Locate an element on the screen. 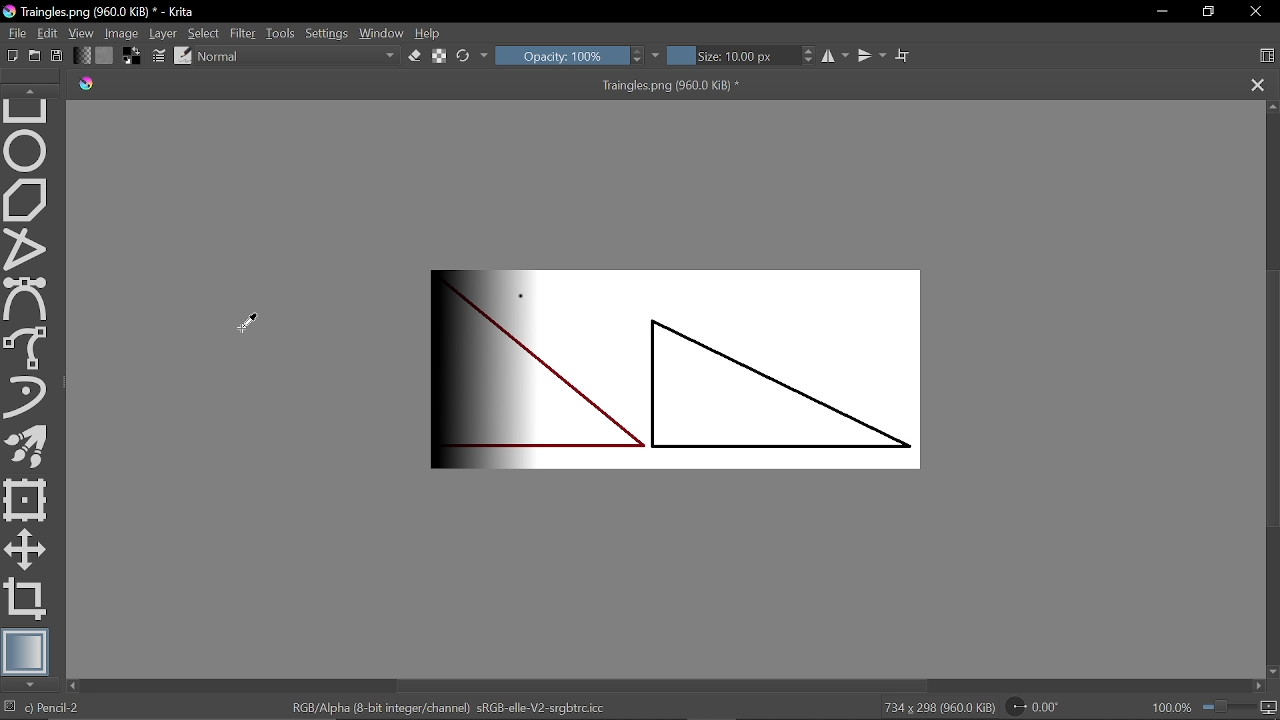 The width and height of the screenshot is (1280, 720). File is located at coordinates (14, 32).